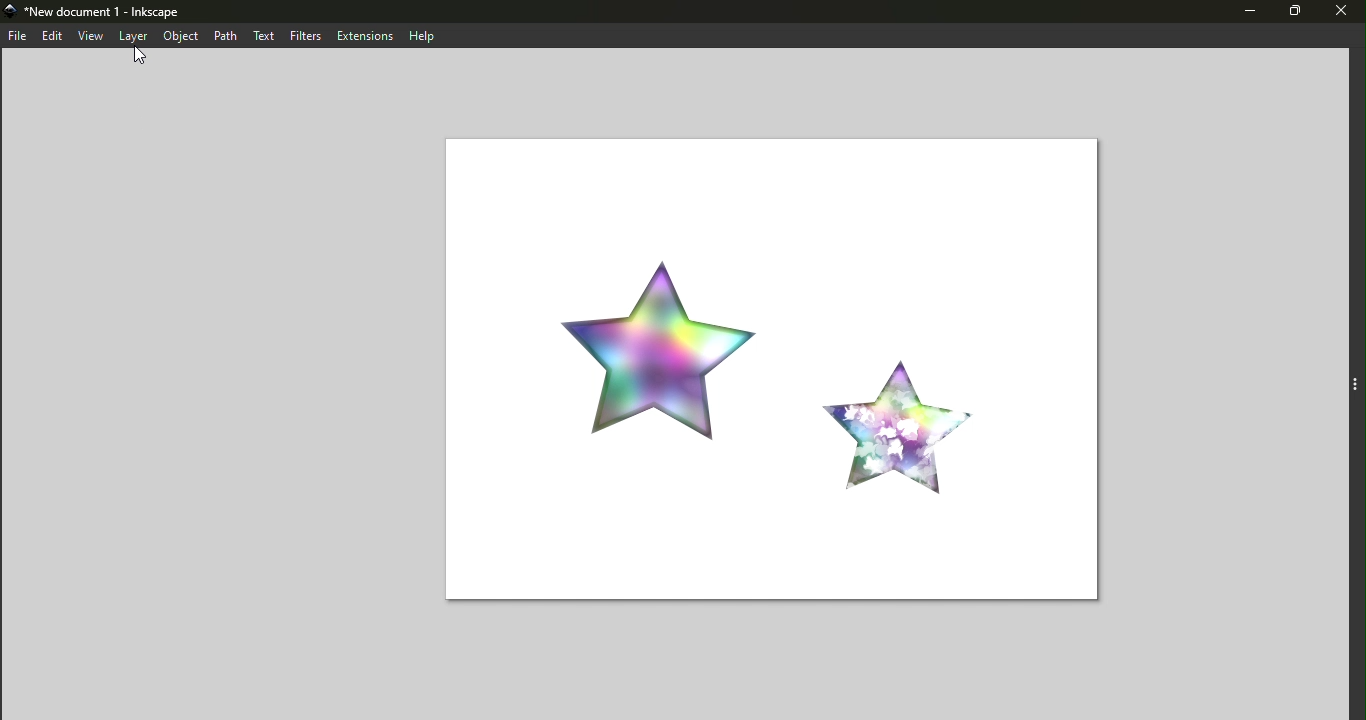 The height and width of the screenshot is (720, 1366). I want to click on maximize, so click(1301, 14).